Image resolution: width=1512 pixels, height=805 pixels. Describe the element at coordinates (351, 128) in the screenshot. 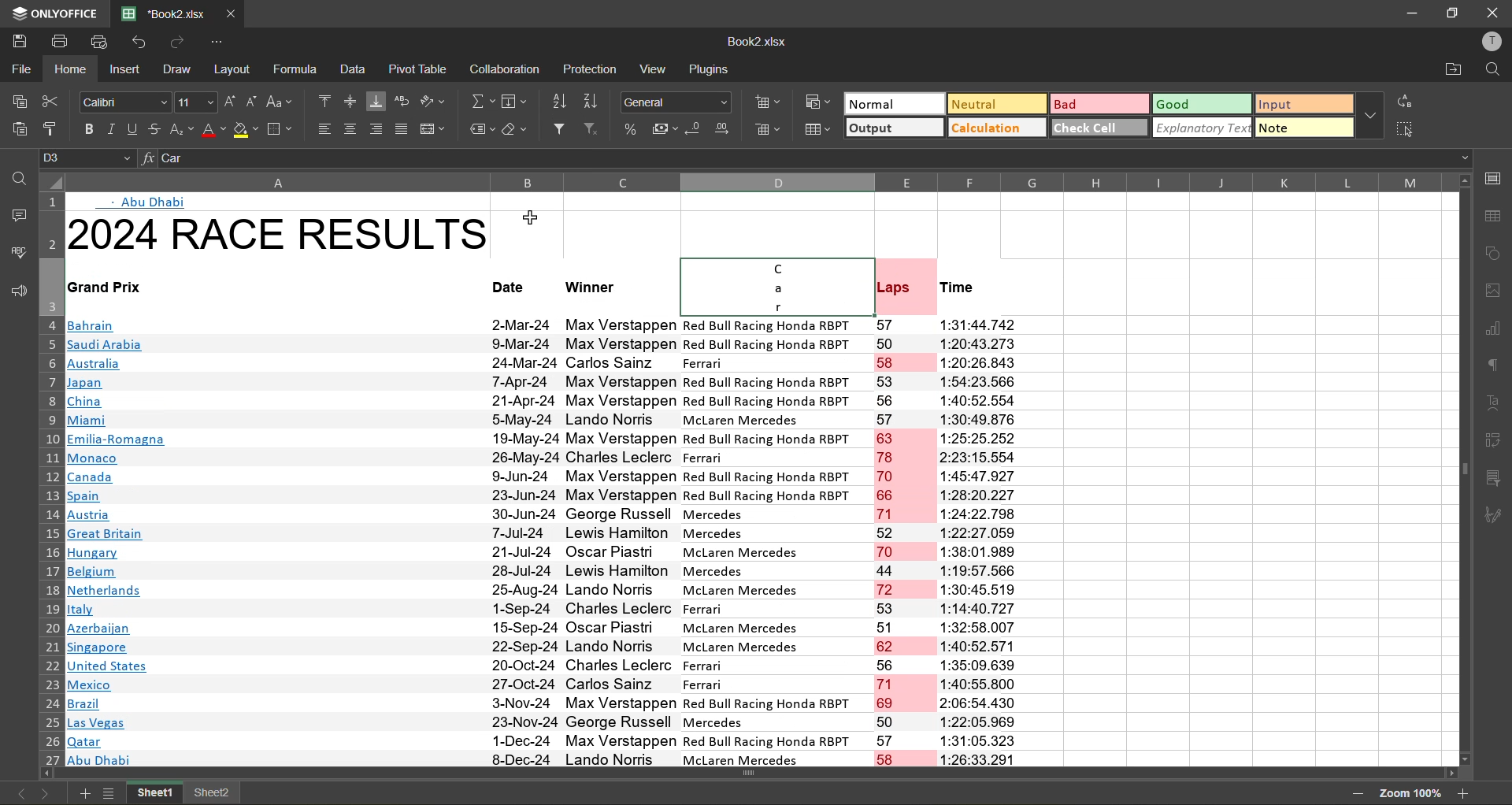

I see `align center` at that location.